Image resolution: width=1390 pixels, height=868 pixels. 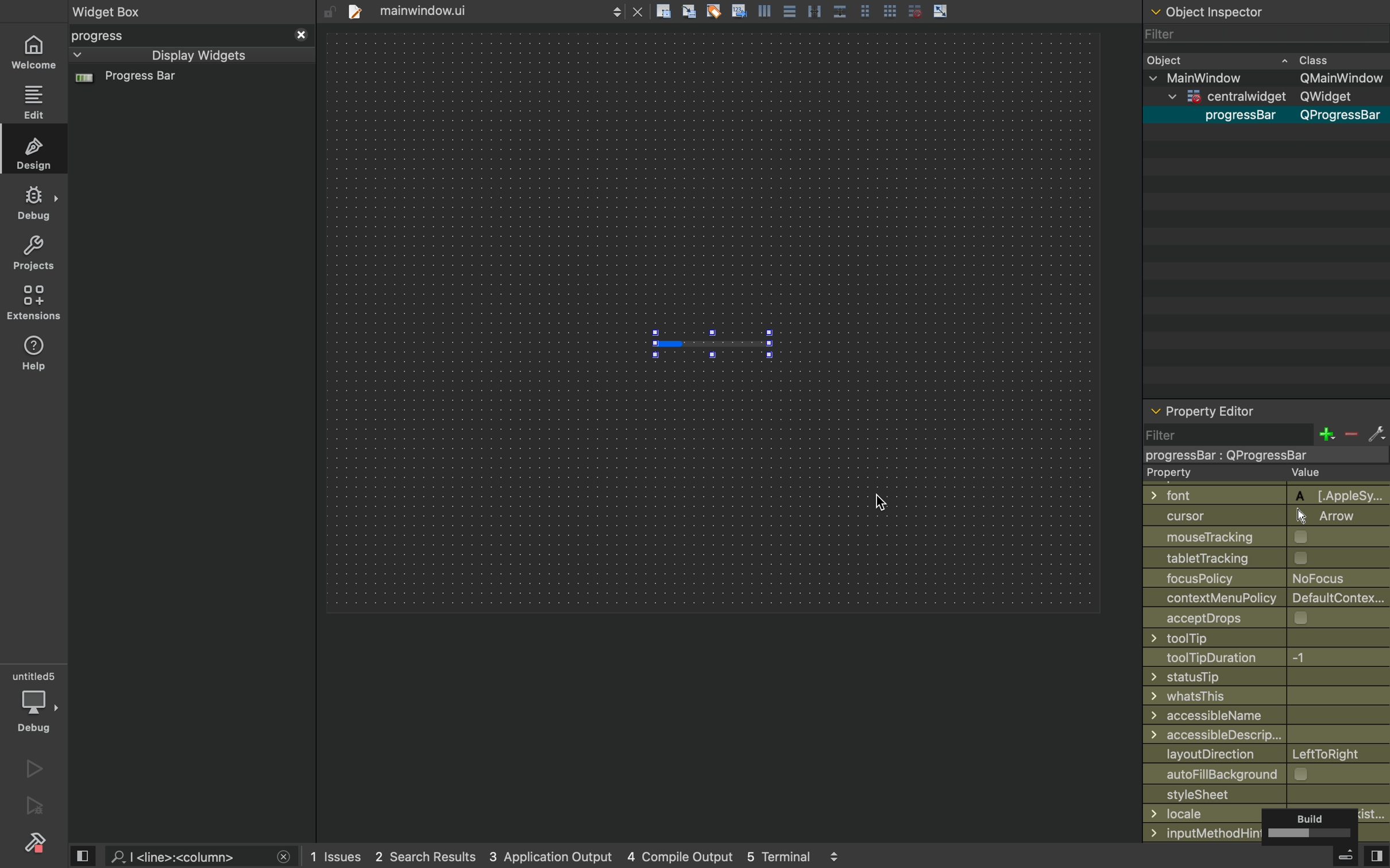 I want to click on , so click(x=78, y=858).